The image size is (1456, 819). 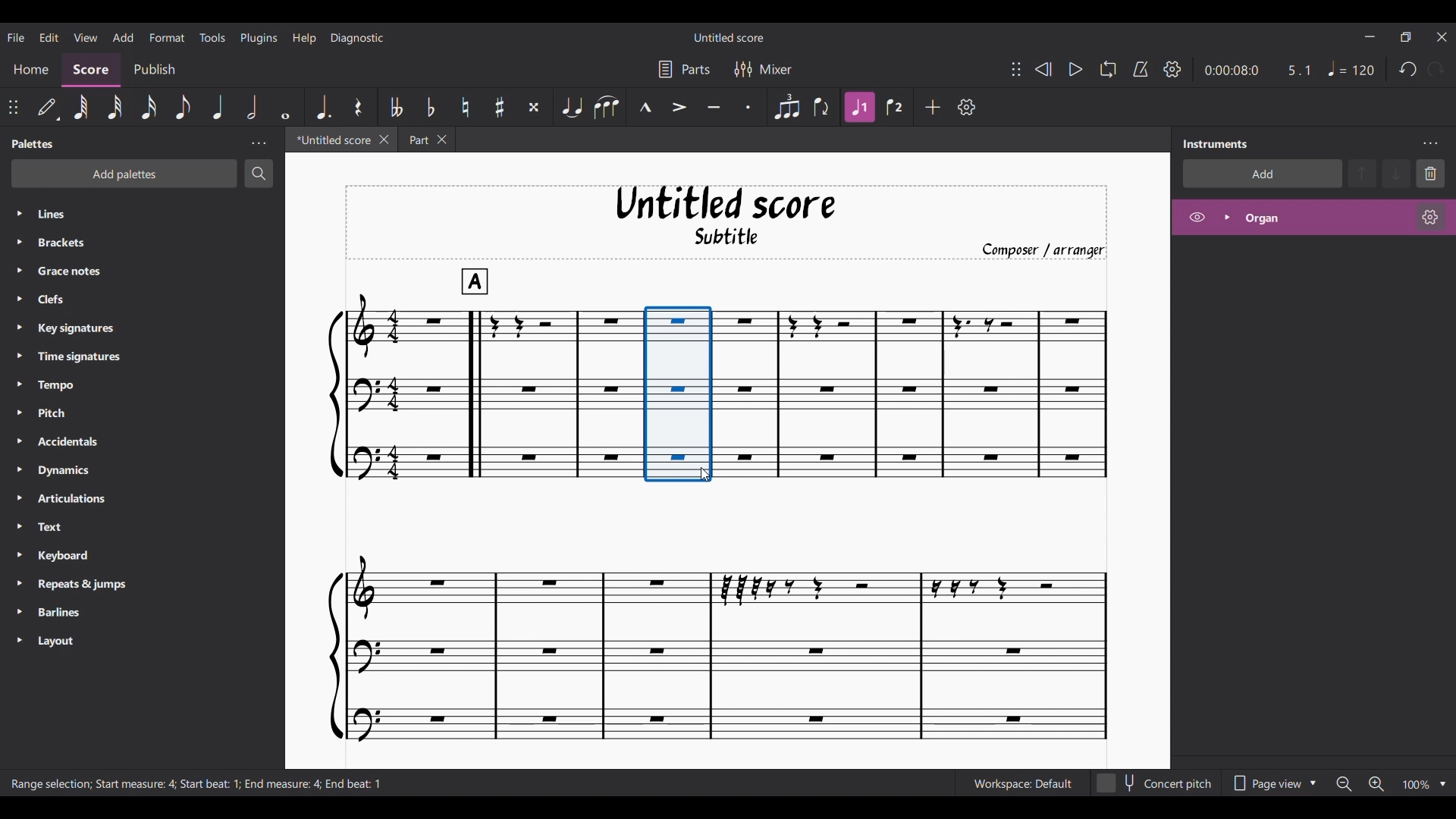 What do you see at coordinates (1351, 68) in the screenshot?
I see `Quarter note` at bounding box center [1351, 68].